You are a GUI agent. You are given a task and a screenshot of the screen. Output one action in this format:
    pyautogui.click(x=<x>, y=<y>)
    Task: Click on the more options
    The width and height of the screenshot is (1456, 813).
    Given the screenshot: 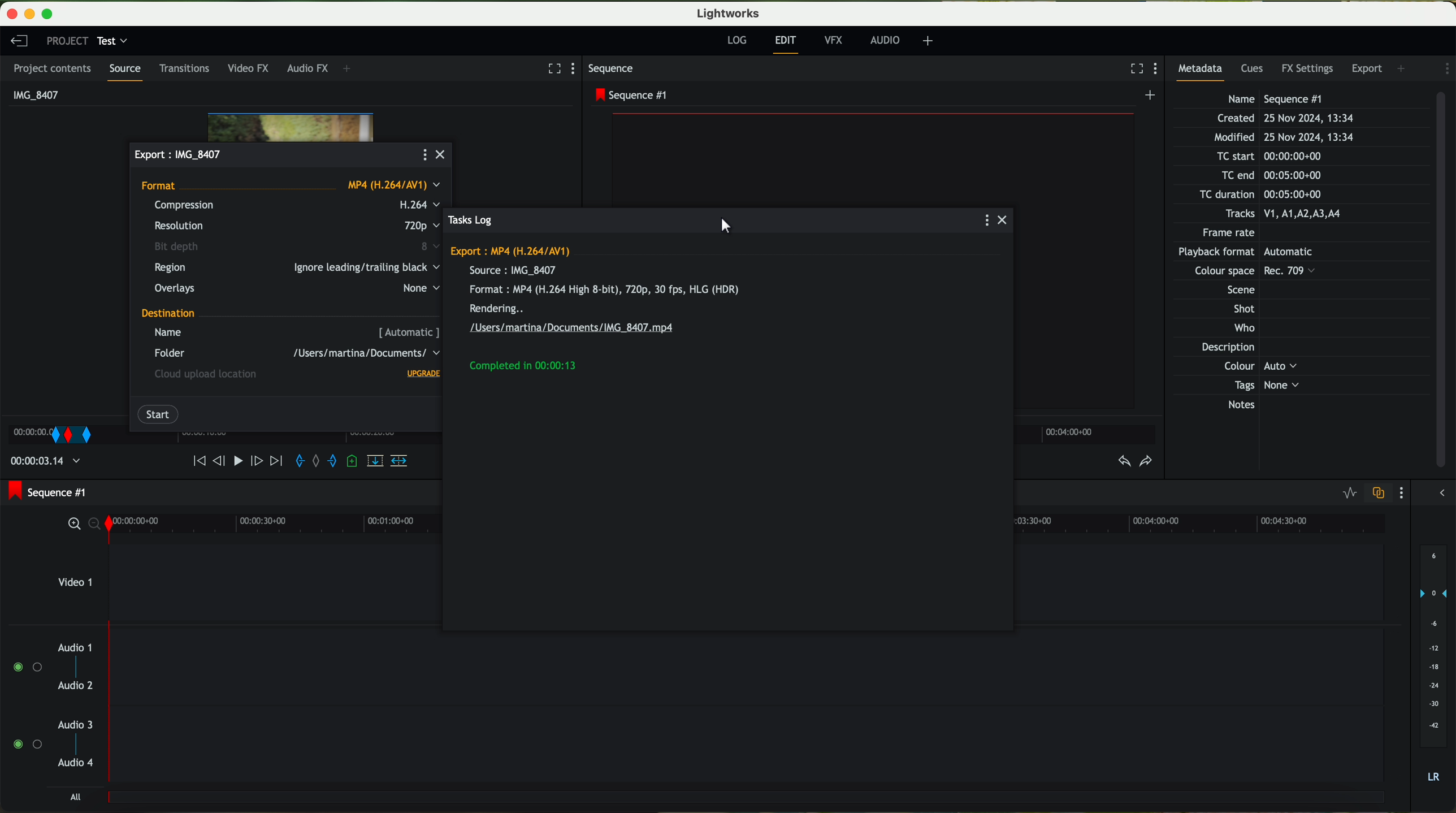 What is the action you would take?
    pyautogui.click(x=423, y=155)
    